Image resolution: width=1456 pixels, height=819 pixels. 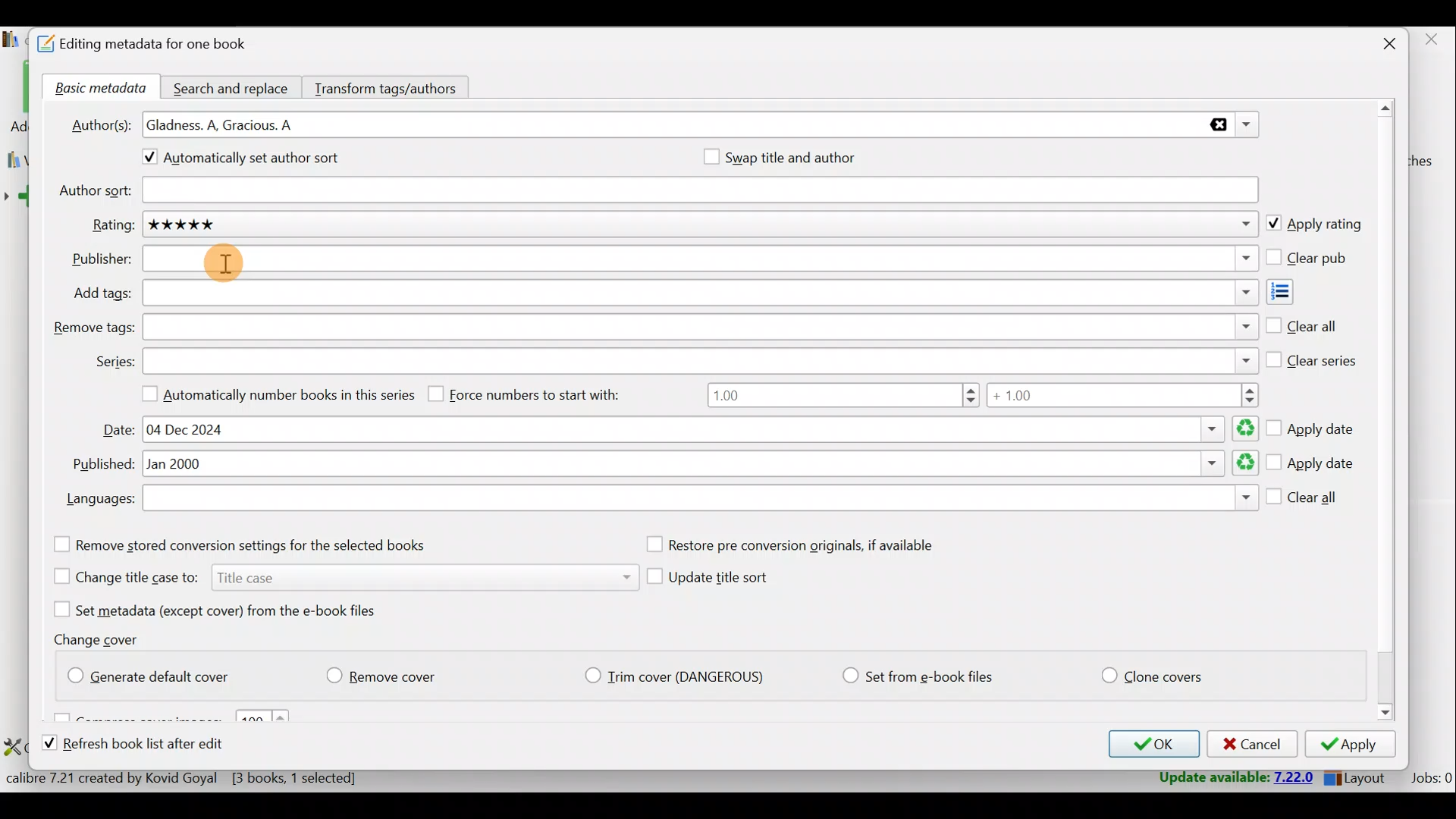 What do you see at coordinates (272, 393) in the screenshot?
I see `Automatically number books in this series` at bounding box center [272, 393].